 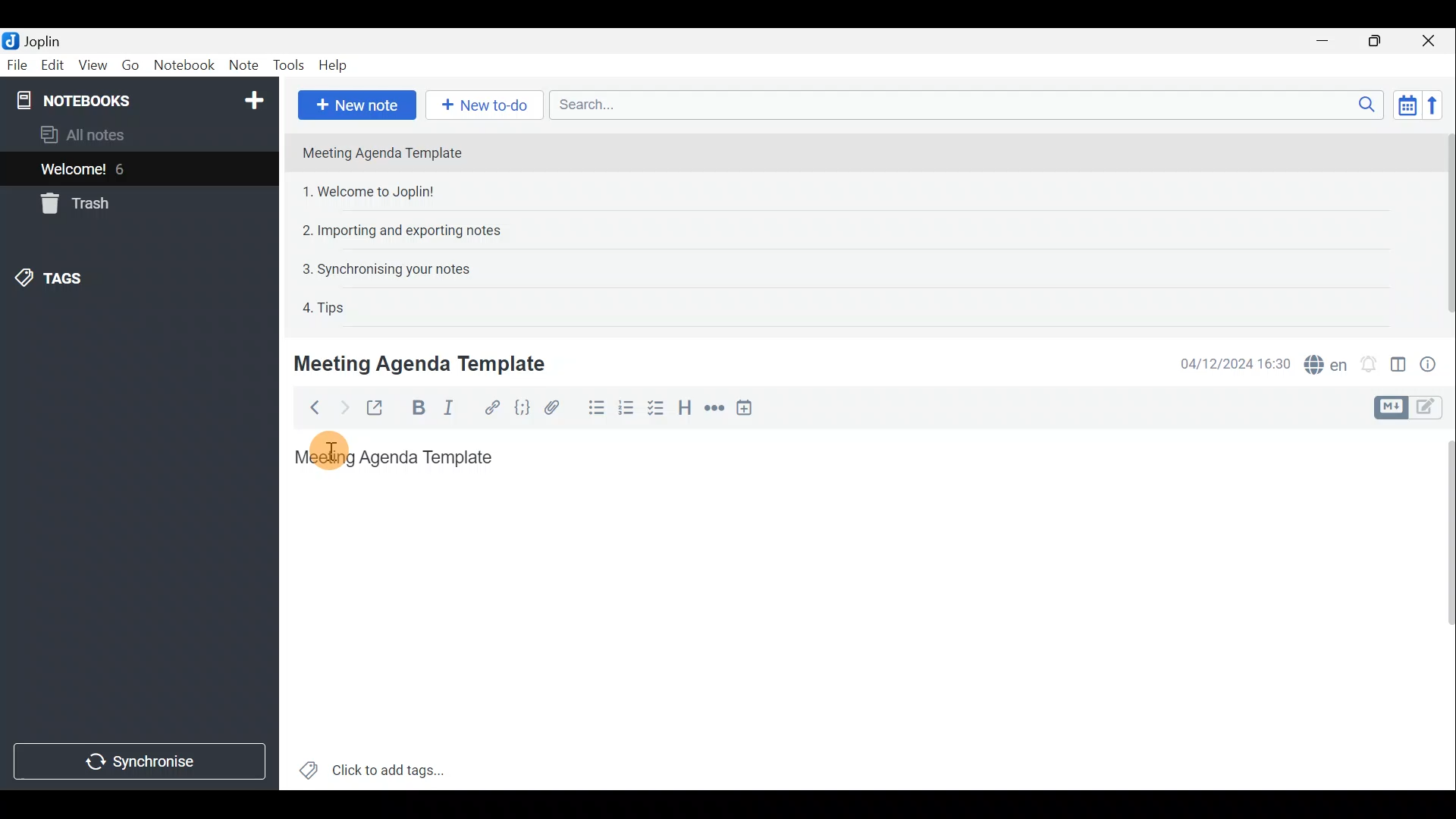 I want to click on Maximise, so click(x=1376, y=42).